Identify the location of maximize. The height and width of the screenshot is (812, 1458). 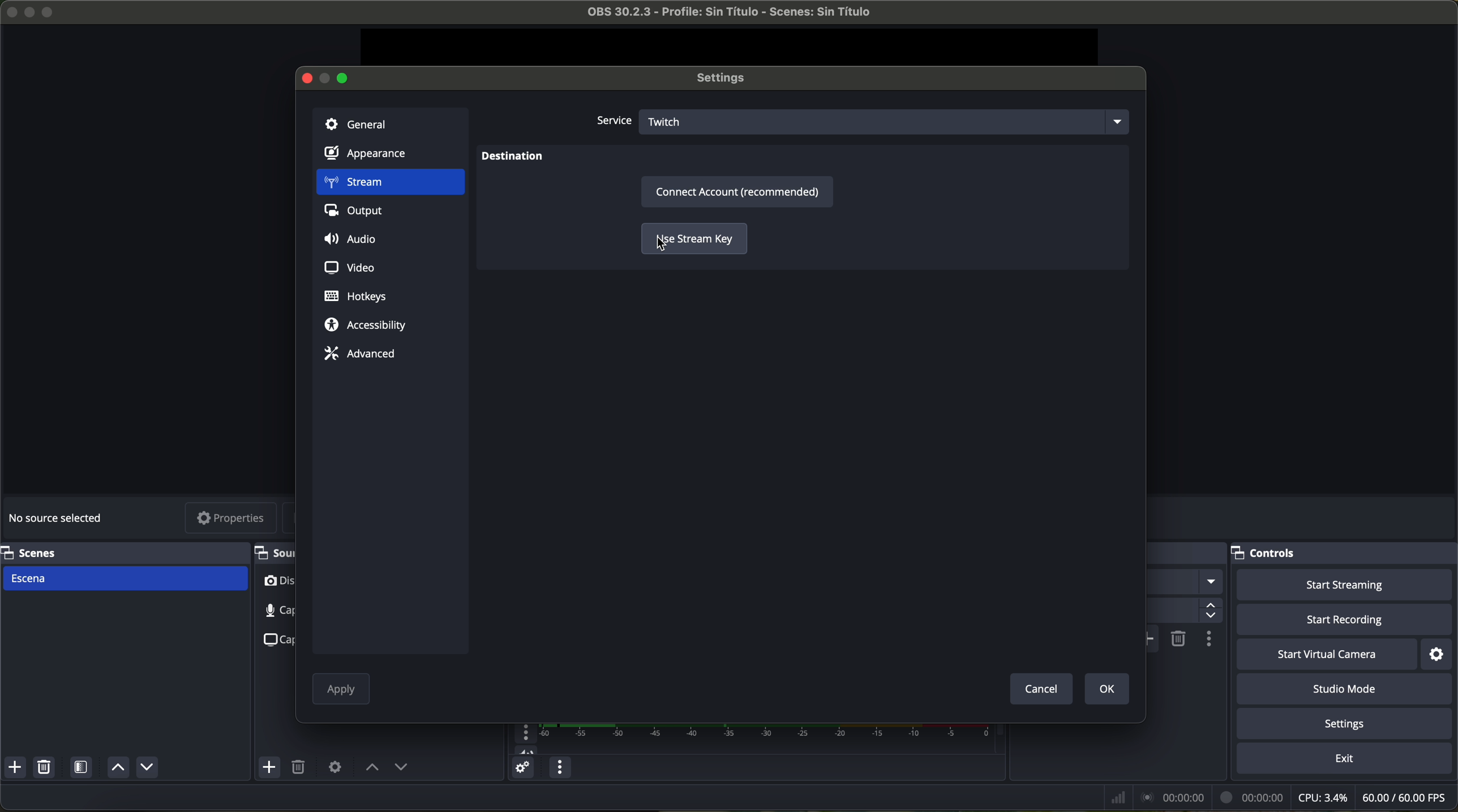
(50, 12).